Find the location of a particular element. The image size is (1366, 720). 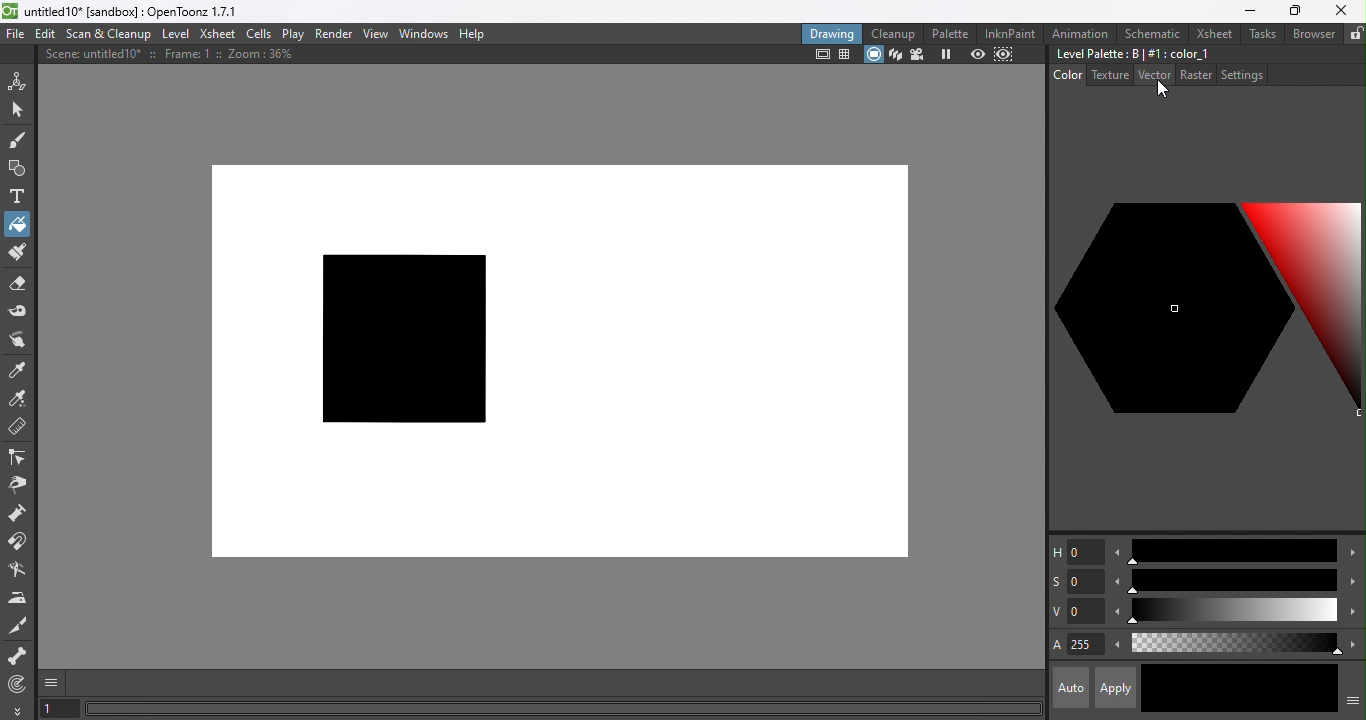

Animation is located at coordinates (1081, 32).